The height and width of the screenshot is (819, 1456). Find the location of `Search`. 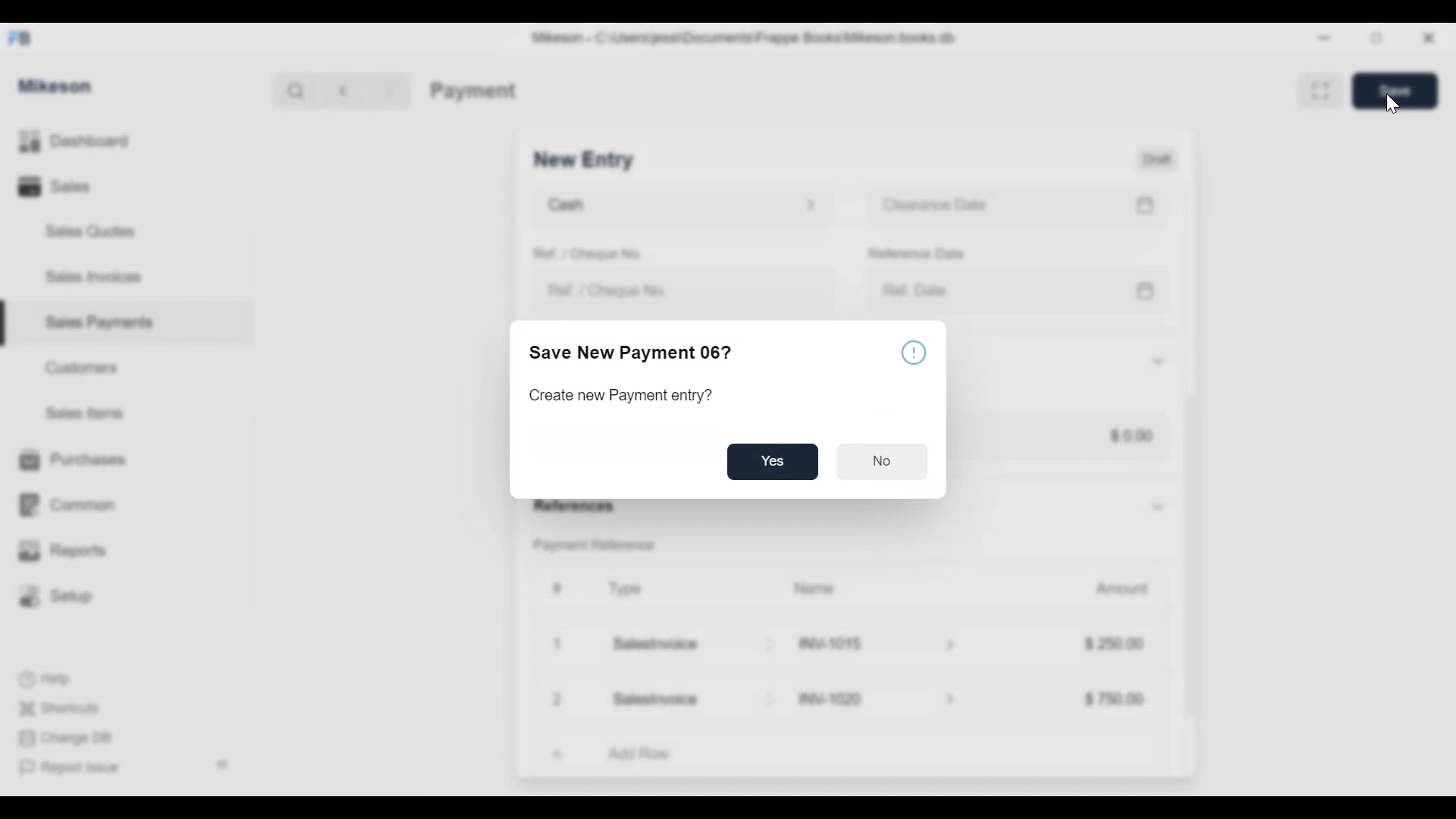

Search is located at coordinates (291, 89).